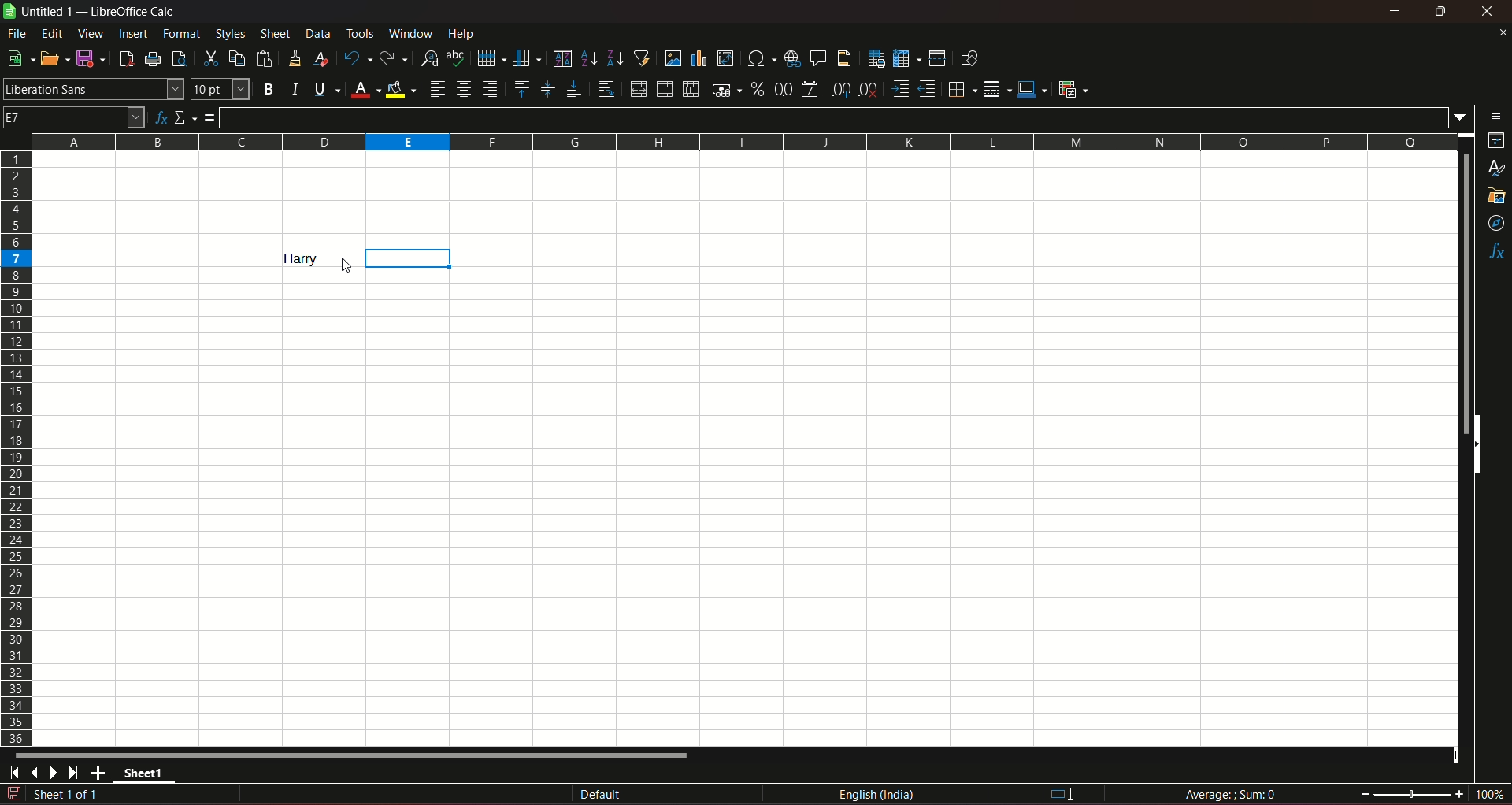  What do you see at coordinates (1032, 88) in the screenshot?
I see `border color` at bounding box center [1032, 88].